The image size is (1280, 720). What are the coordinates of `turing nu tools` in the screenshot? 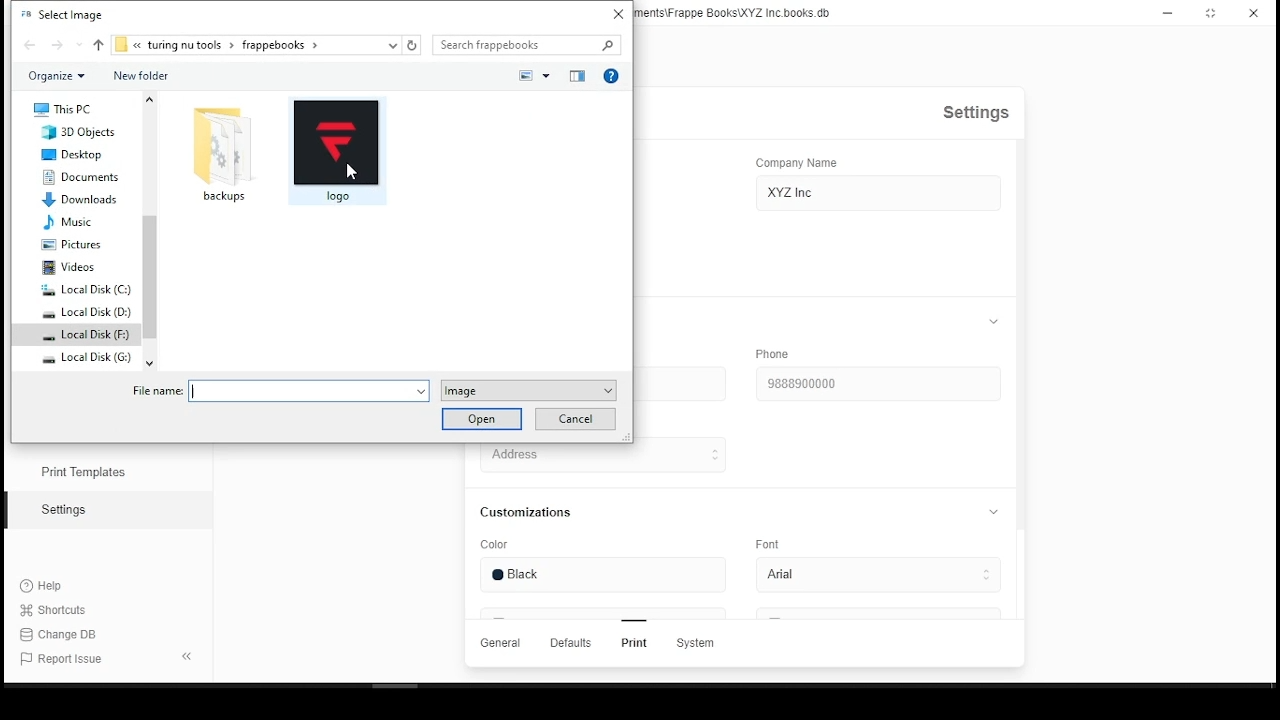 It's located at (186, 45).